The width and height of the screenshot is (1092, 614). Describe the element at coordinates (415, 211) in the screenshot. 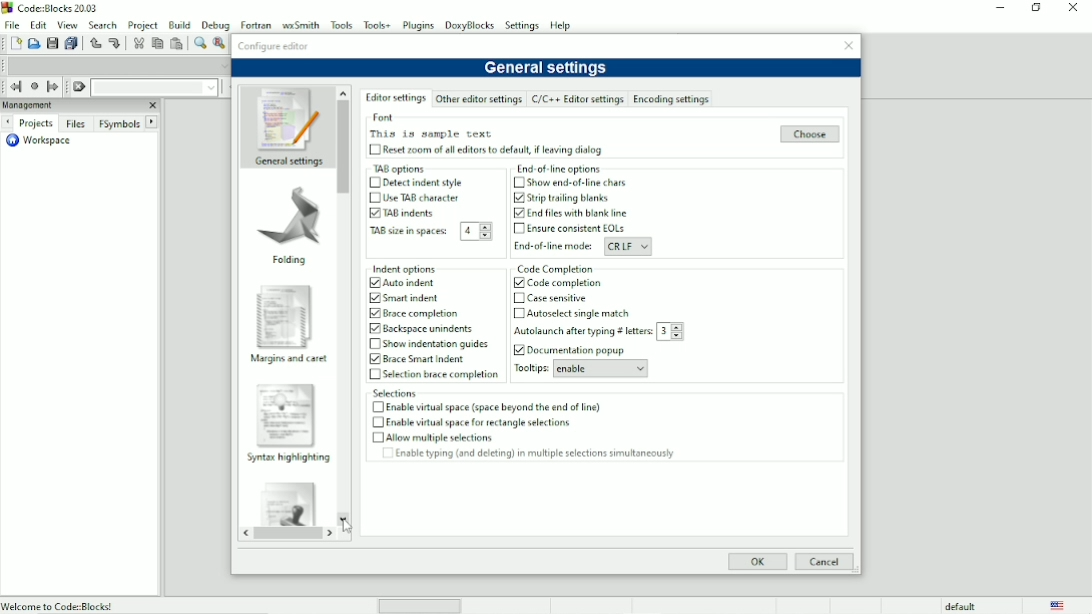

I see `TAB indents` at that location.